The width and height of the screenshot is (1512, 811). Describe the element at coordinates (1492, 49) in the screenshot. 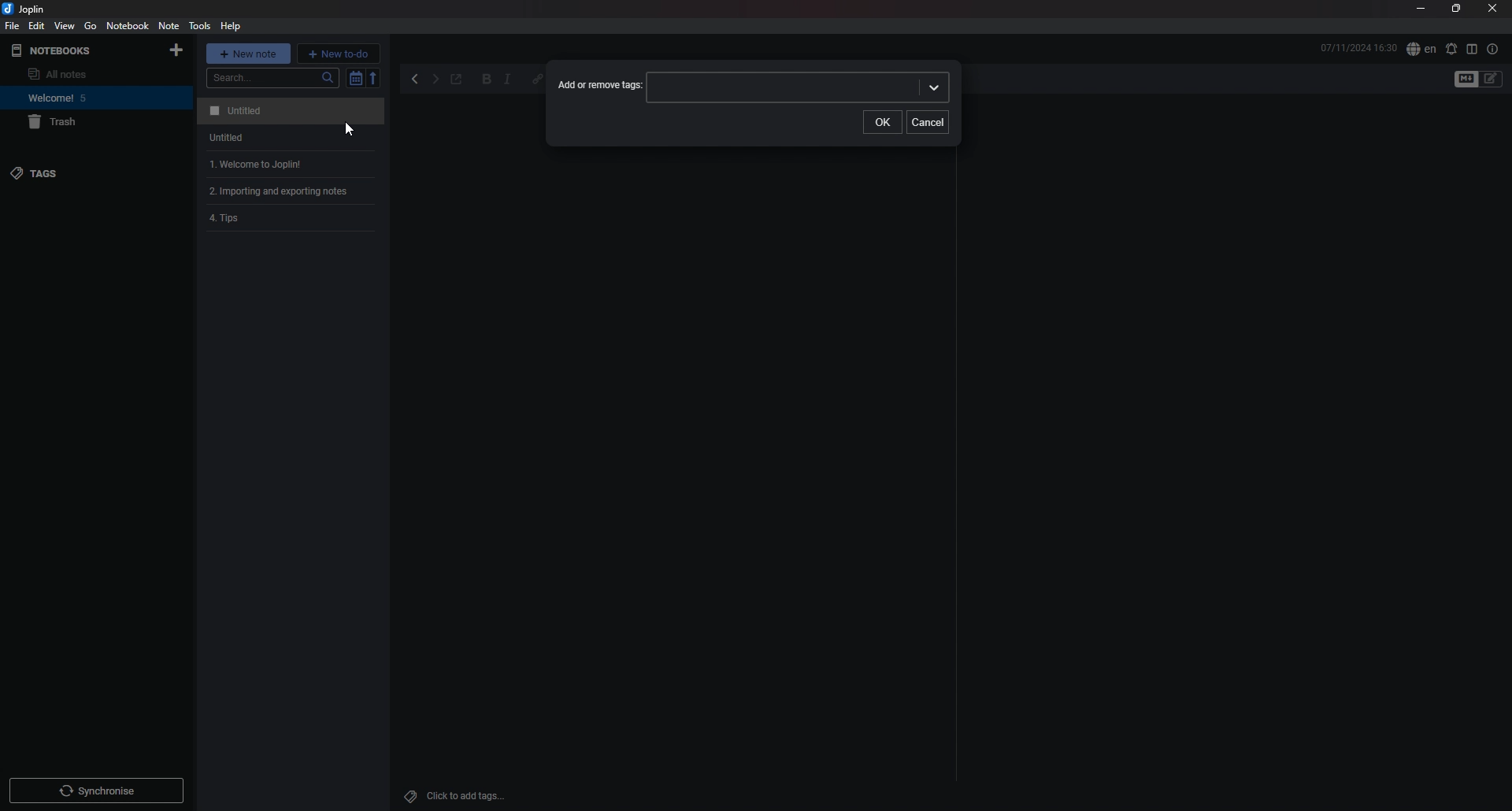

I see `note properties` at that location.